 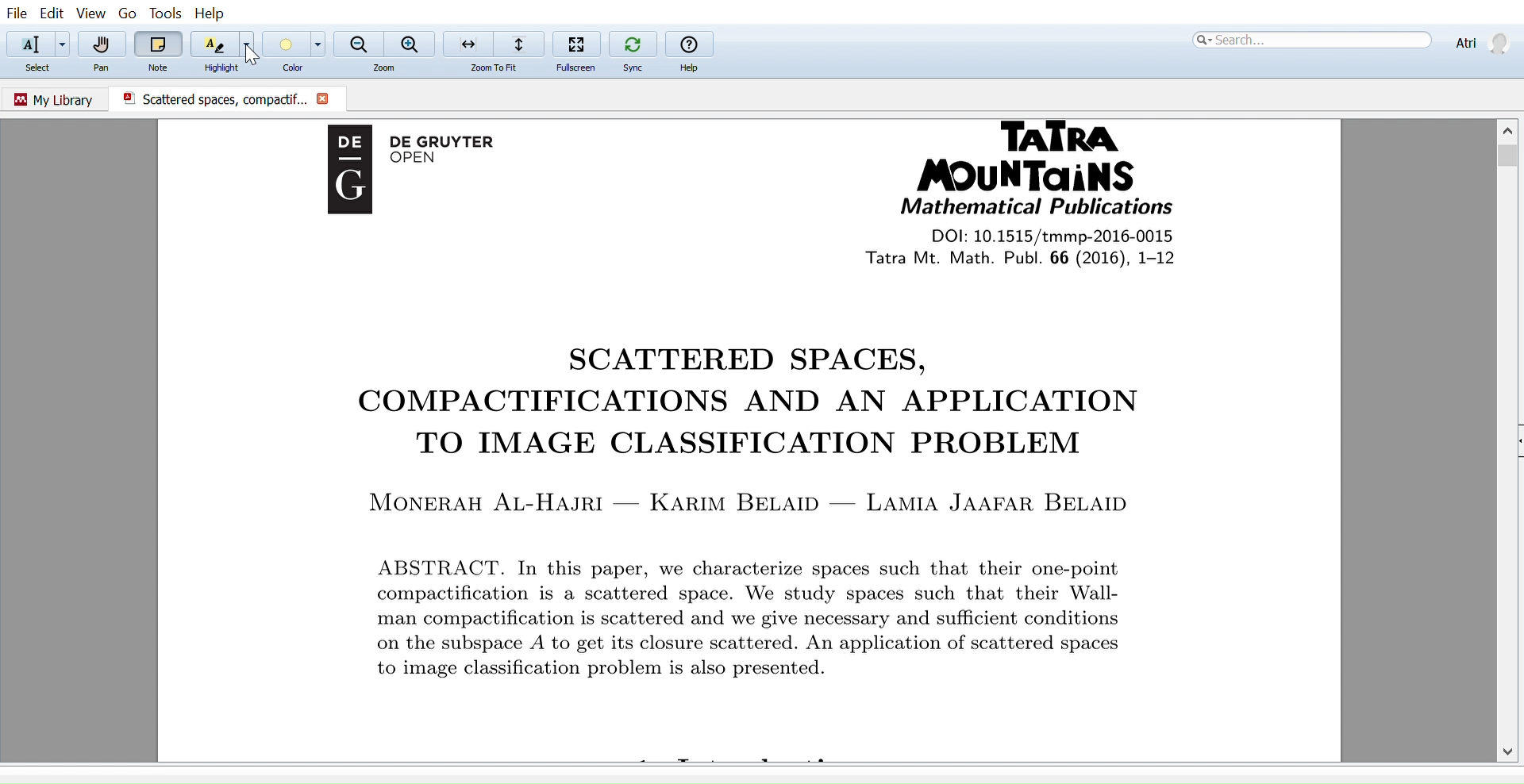 What do you see at coordinates (749, 359) in the screenshot?
I see `SCATTERED SPACES,` at bounding box center [749, 359].